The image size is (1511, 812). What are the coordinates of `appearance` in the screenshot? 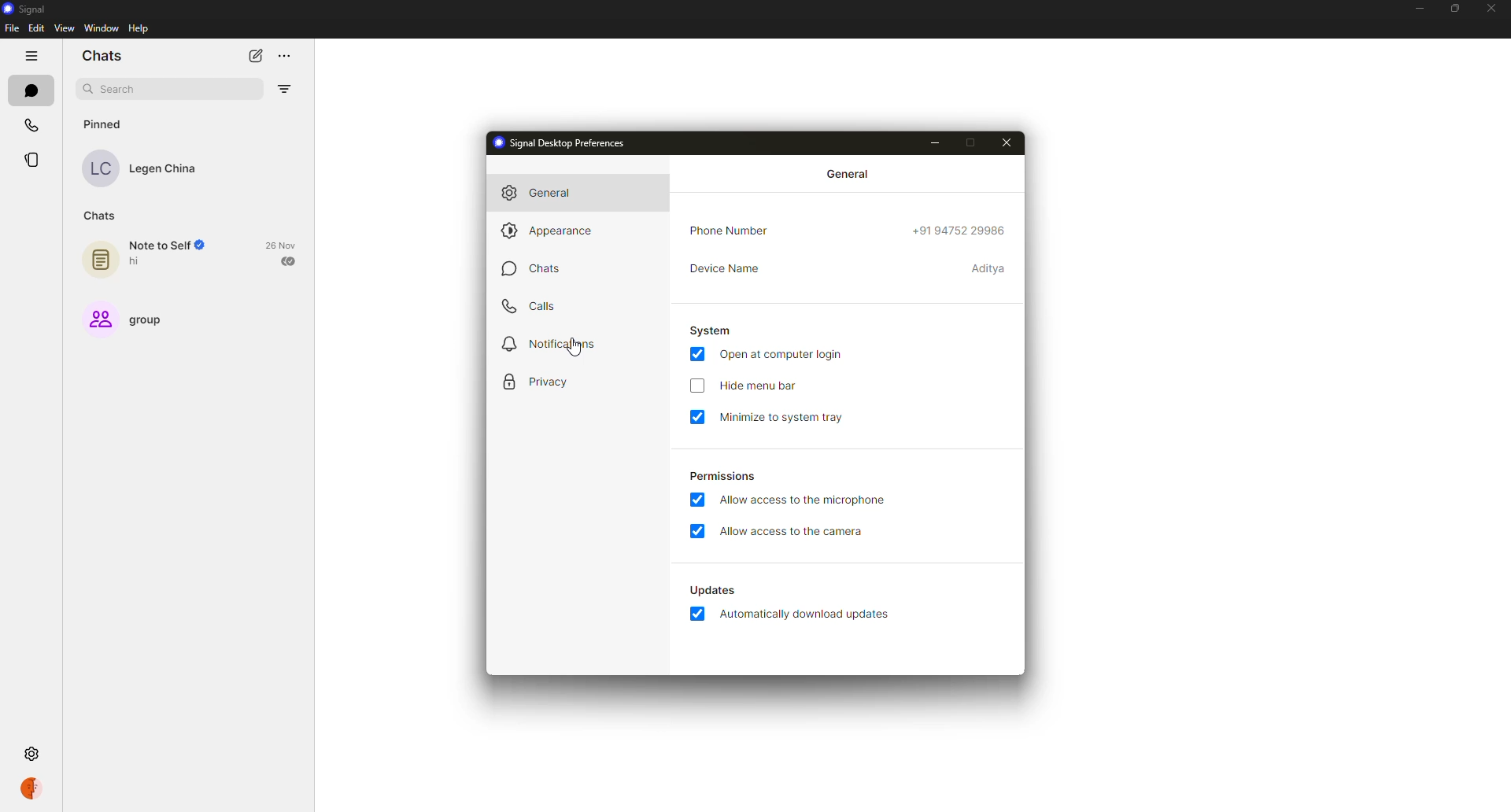 It's located at (549, 232).